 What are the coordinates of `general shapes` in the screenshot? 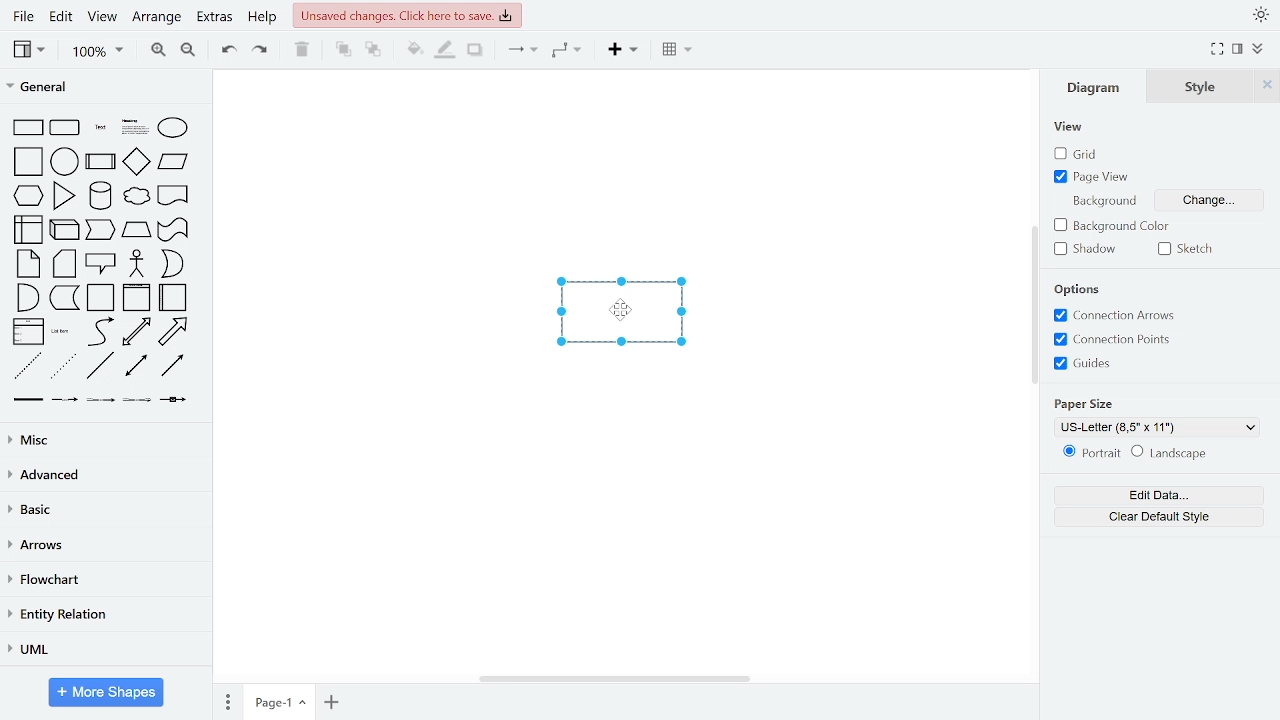 It's located at (98, 161).